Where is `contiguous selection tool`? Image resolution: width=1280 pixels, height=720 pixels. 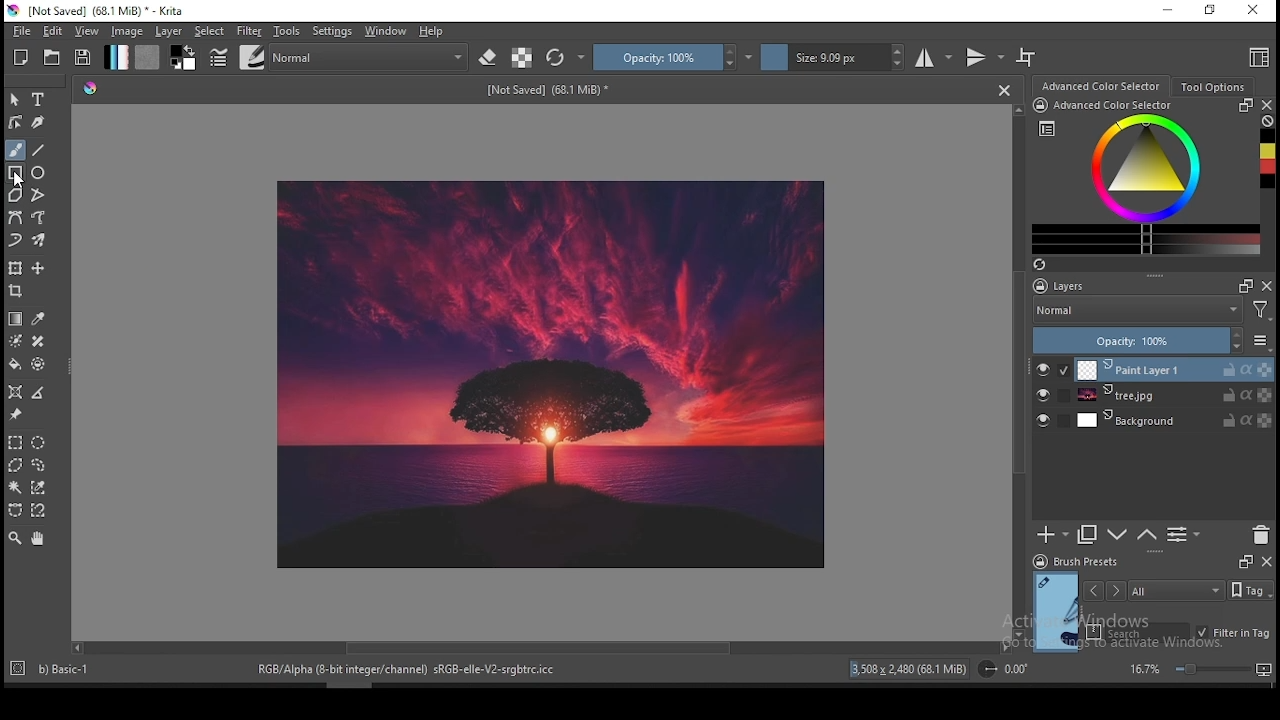
contiguous selection tool is located at coordinates (15, 488).